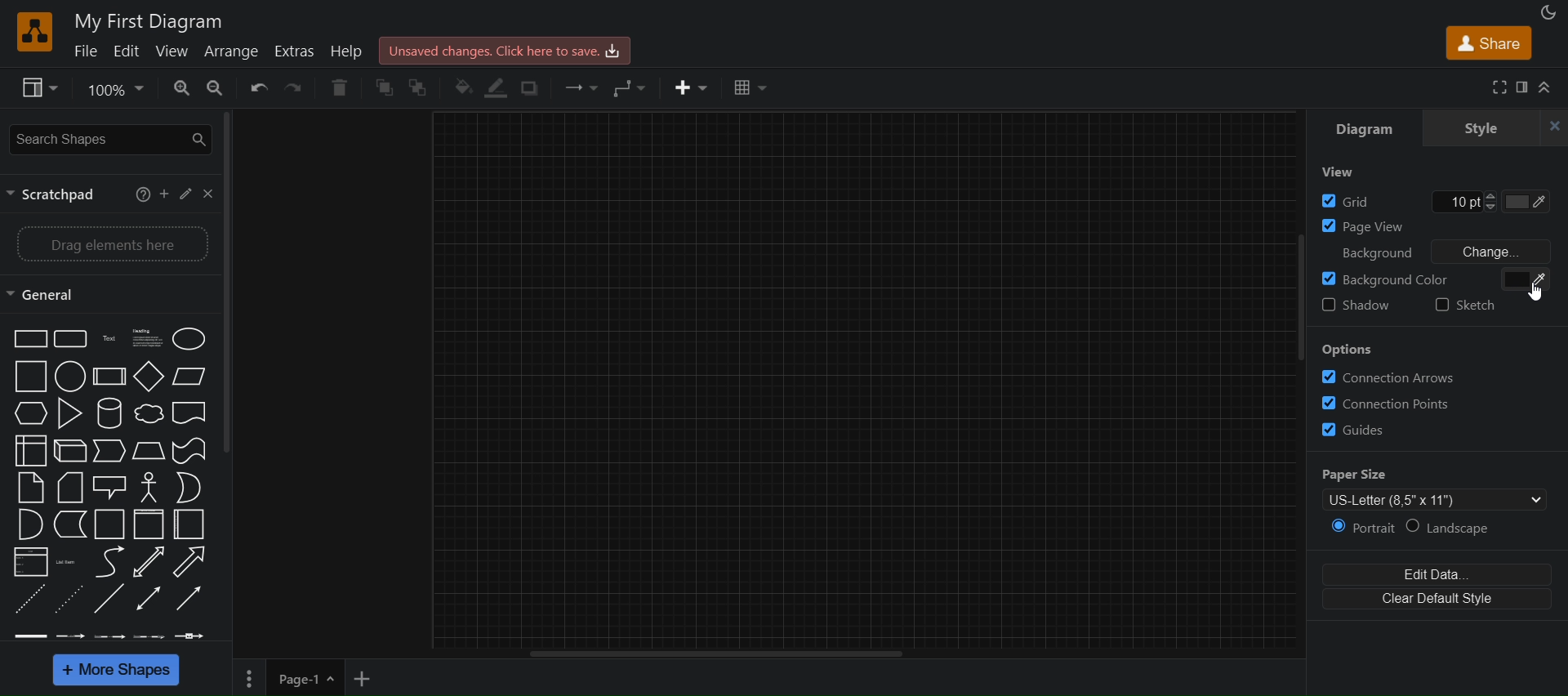  Describe the element at coordinates (535, 90) in the screenshot. I see `shadow` at that location.